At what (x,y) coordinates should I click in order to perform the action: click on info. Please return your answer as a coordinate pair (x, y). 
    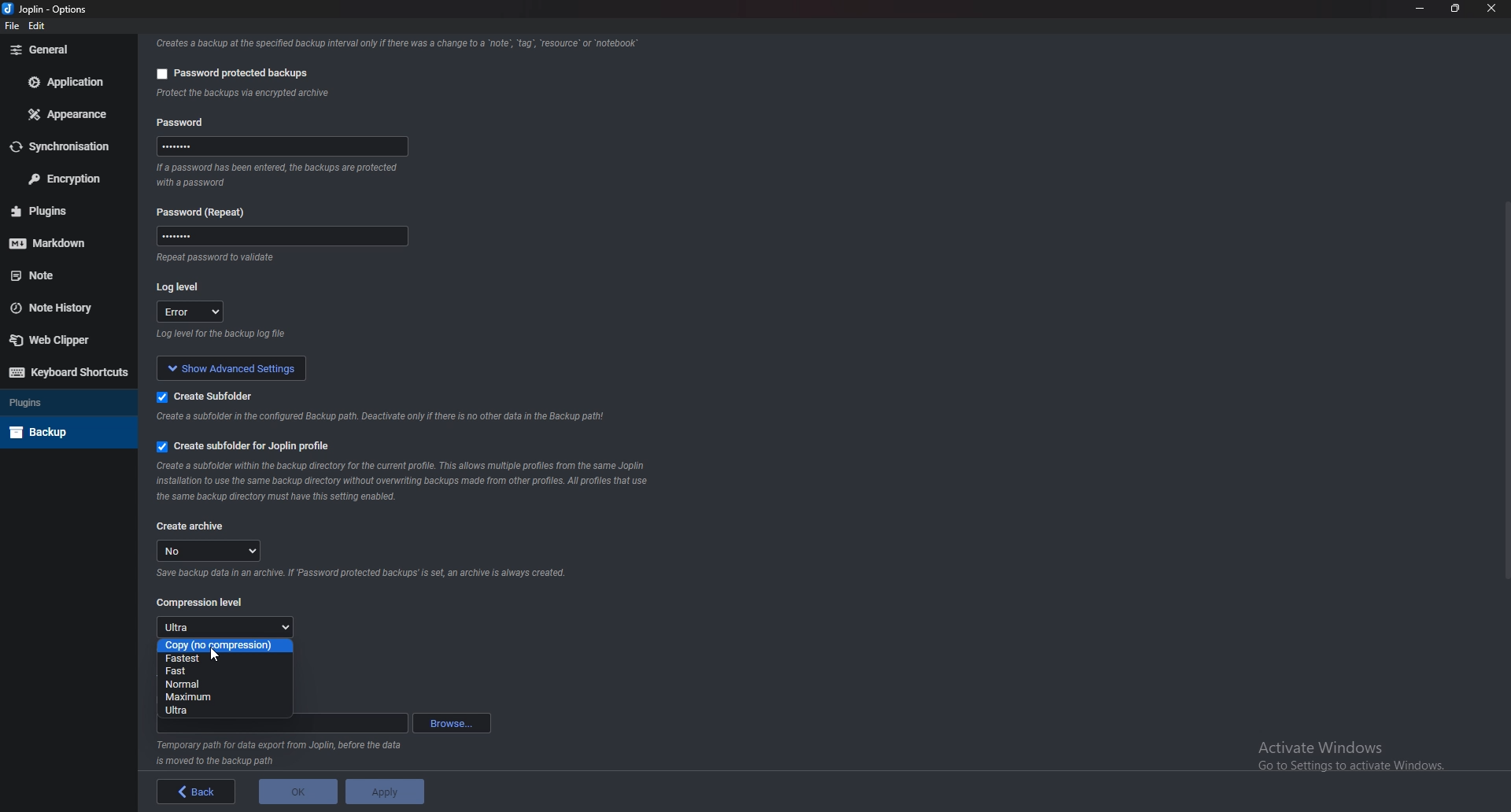
    Looking at the image, I should click on (384, 418).